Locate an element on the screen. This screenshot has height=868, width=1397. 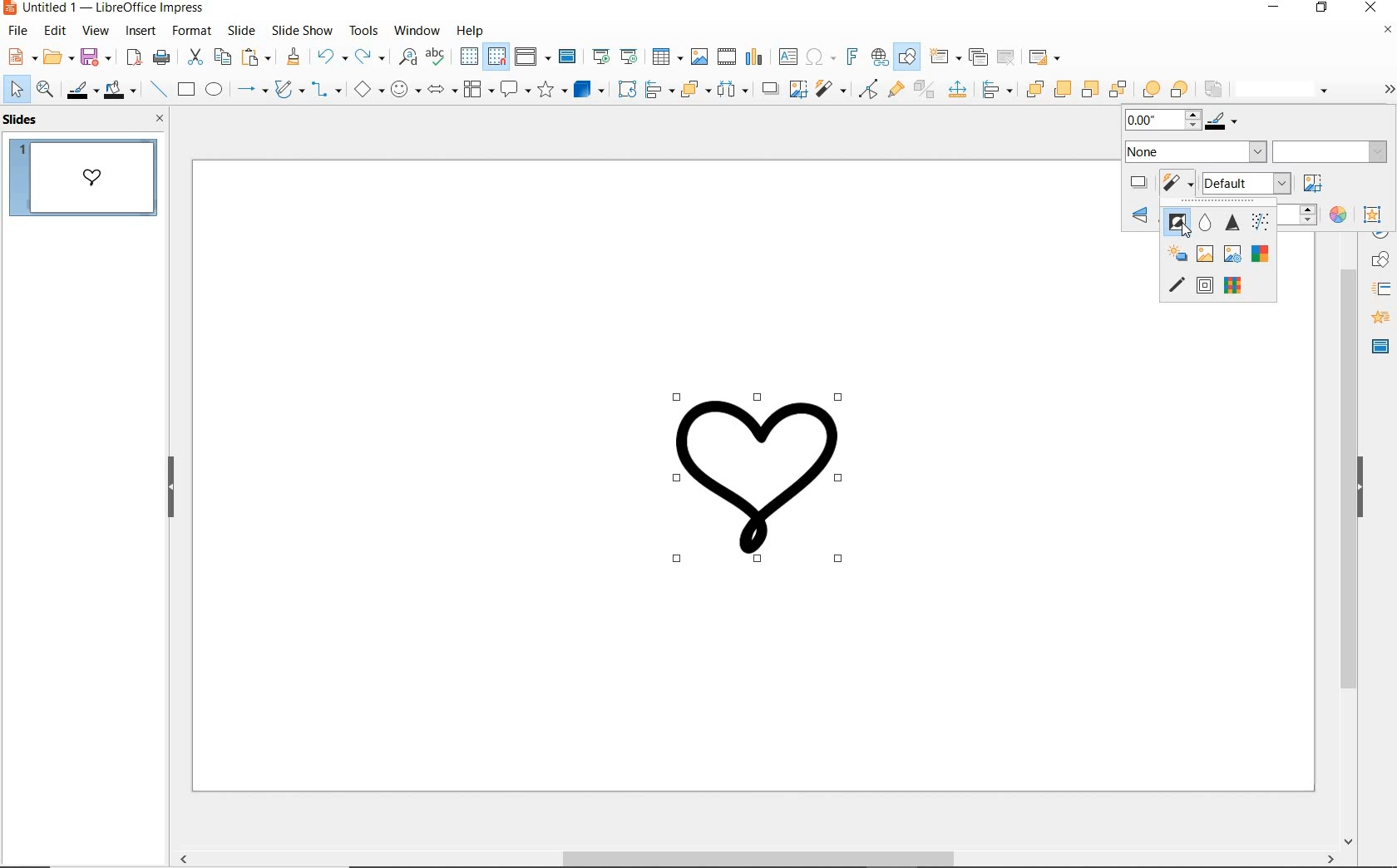
remove noise is located at coordinates (1259, 220).